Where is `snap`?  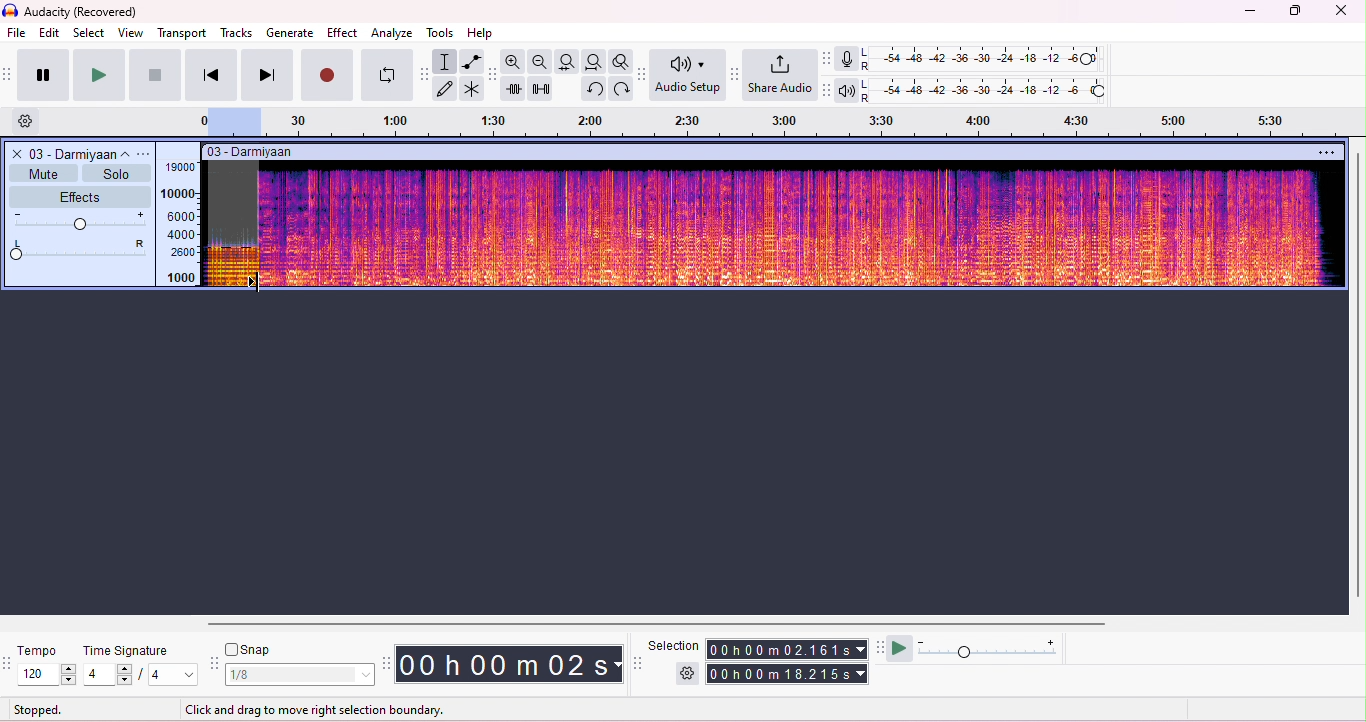 snap is located at coordinates (254, 648).